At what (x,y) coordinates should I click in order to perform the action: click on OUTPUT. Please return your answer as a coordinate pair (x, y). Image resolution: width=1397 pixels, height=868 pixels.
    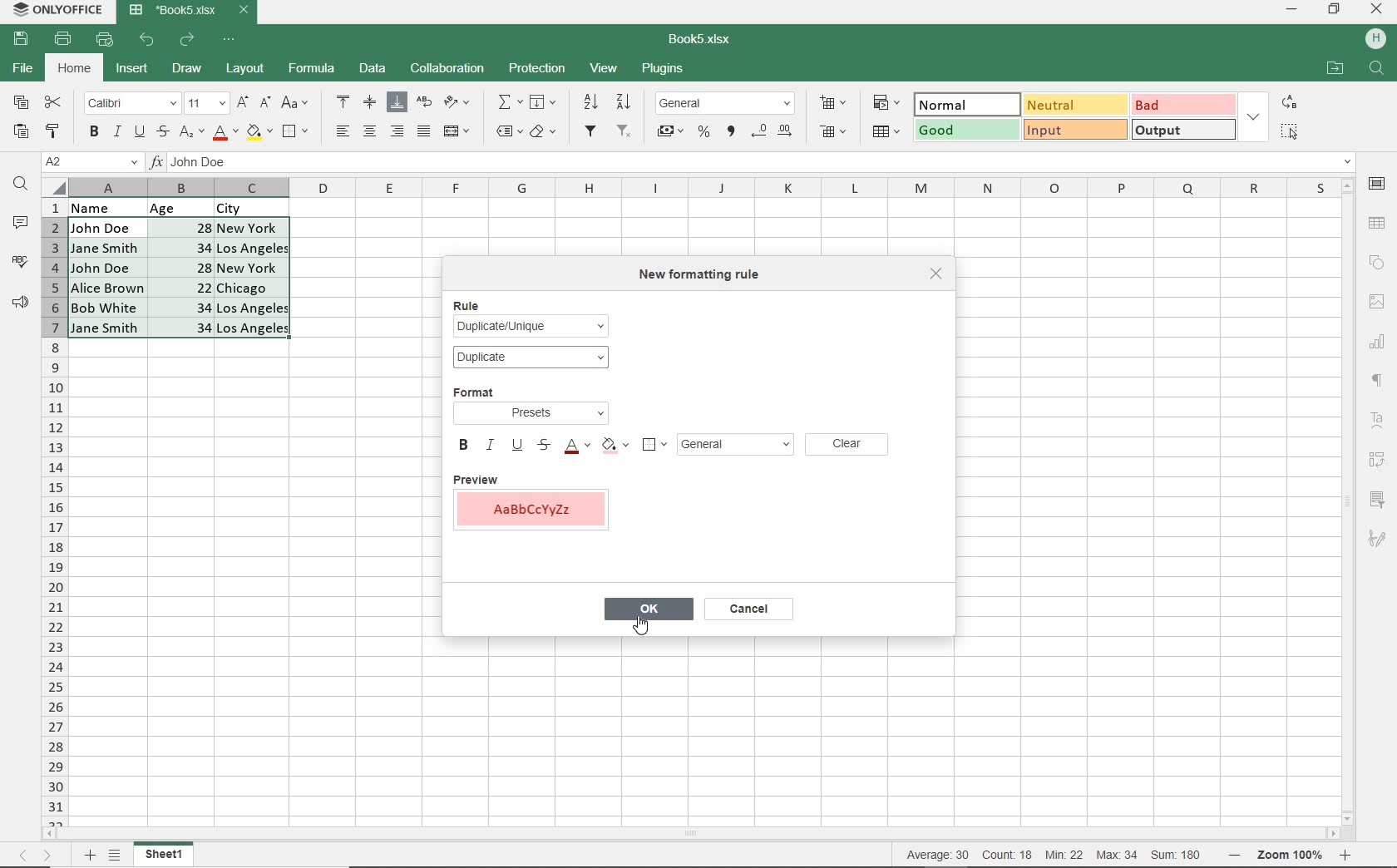
    Looking at the image, I should click on (1182, 129).